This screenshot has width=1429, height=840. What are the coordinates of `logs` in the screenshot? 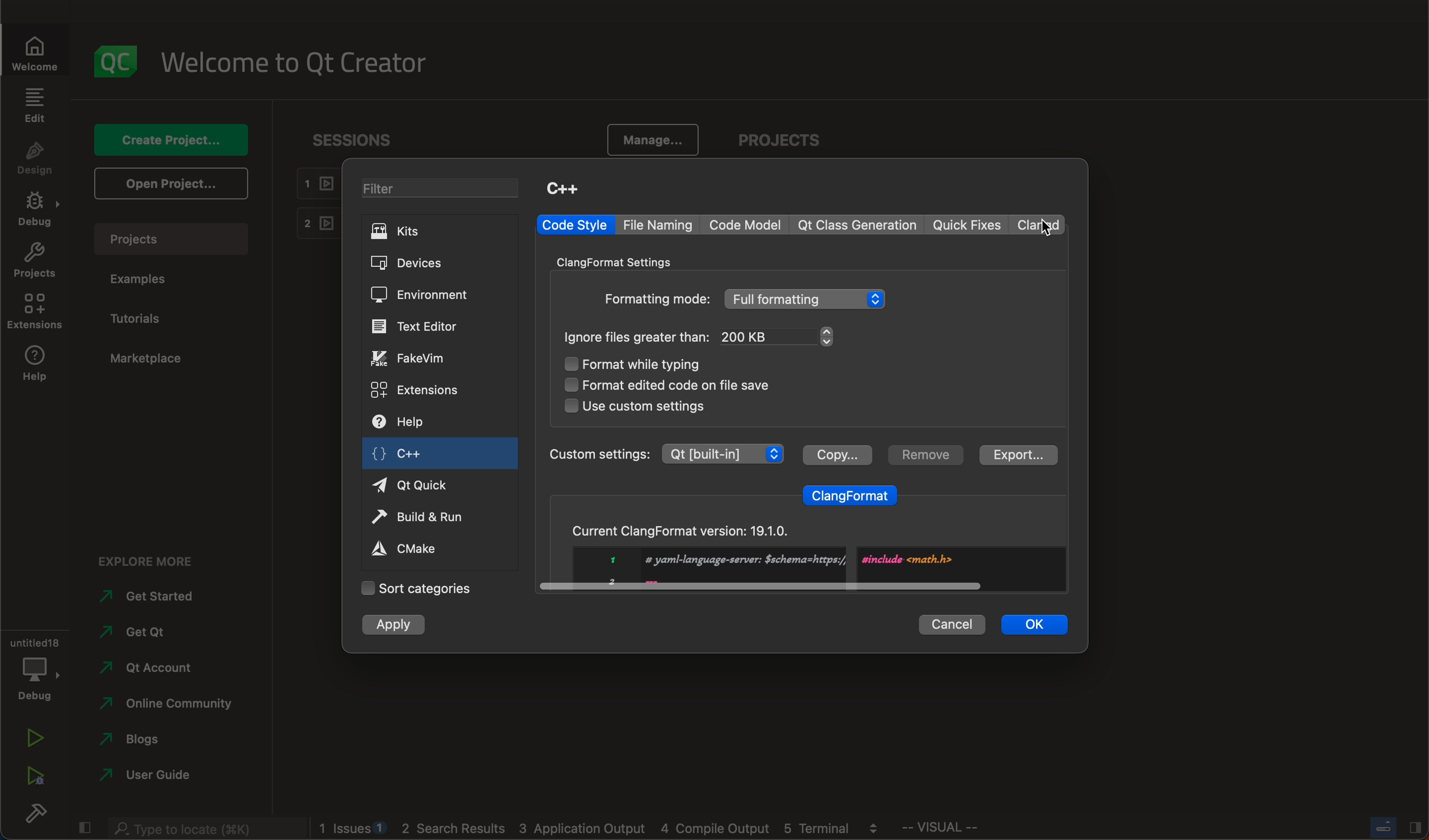 It's located at (599, 829).